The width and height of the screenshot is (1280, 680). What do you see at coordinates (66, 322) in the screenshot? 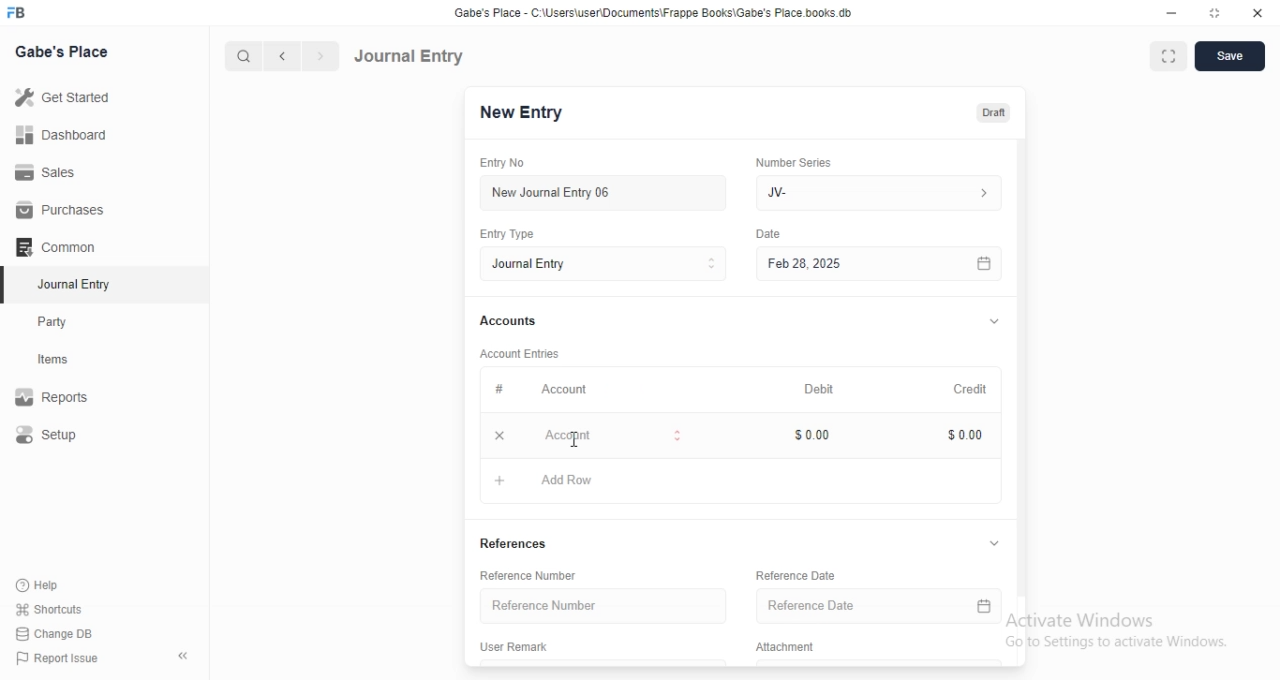
I see `Party` at bounding box center [66, 322].